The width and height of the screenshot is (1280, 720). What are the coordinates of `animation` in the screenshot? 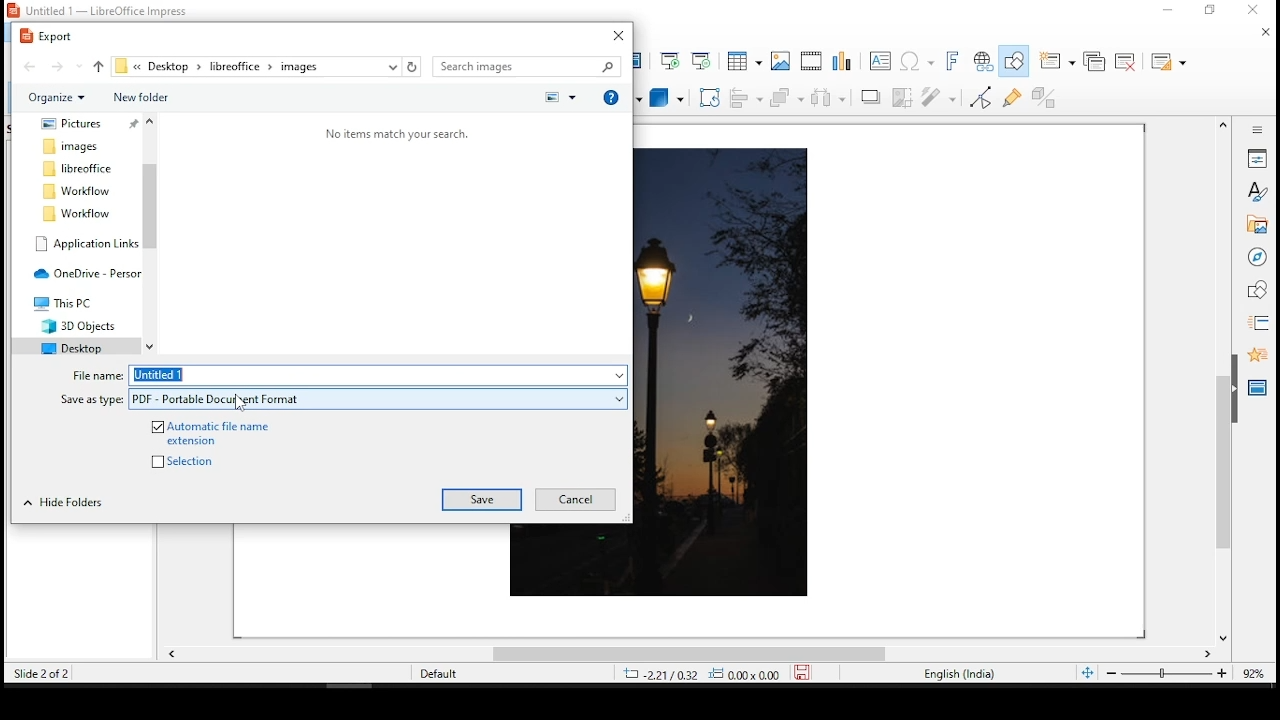 It's located at (1257, 355).